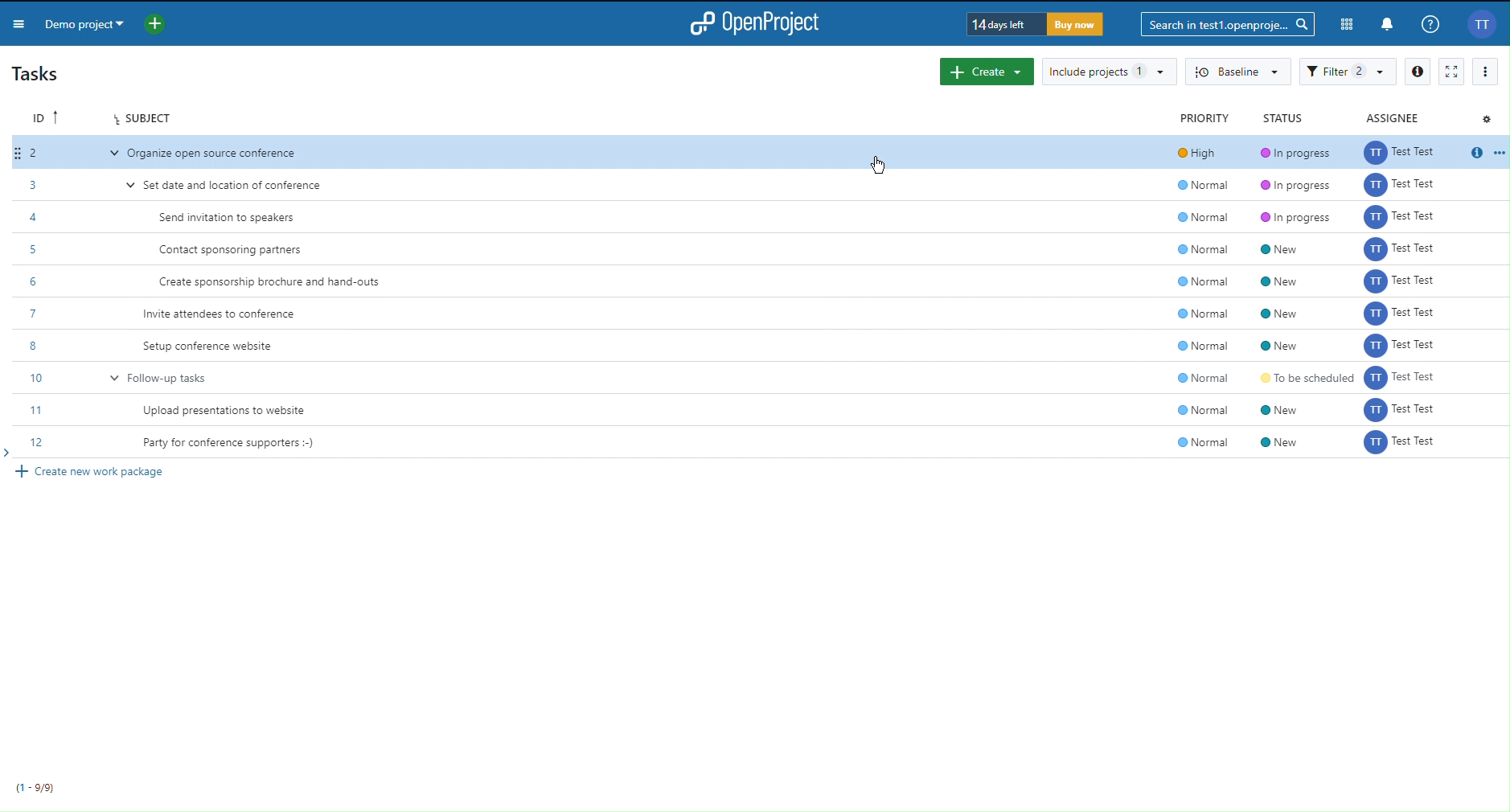 The height and width of the screenshot is (812, 1510). Describe the element at coordinates (983, 72) in the screenshot. I see `Create` at that location.